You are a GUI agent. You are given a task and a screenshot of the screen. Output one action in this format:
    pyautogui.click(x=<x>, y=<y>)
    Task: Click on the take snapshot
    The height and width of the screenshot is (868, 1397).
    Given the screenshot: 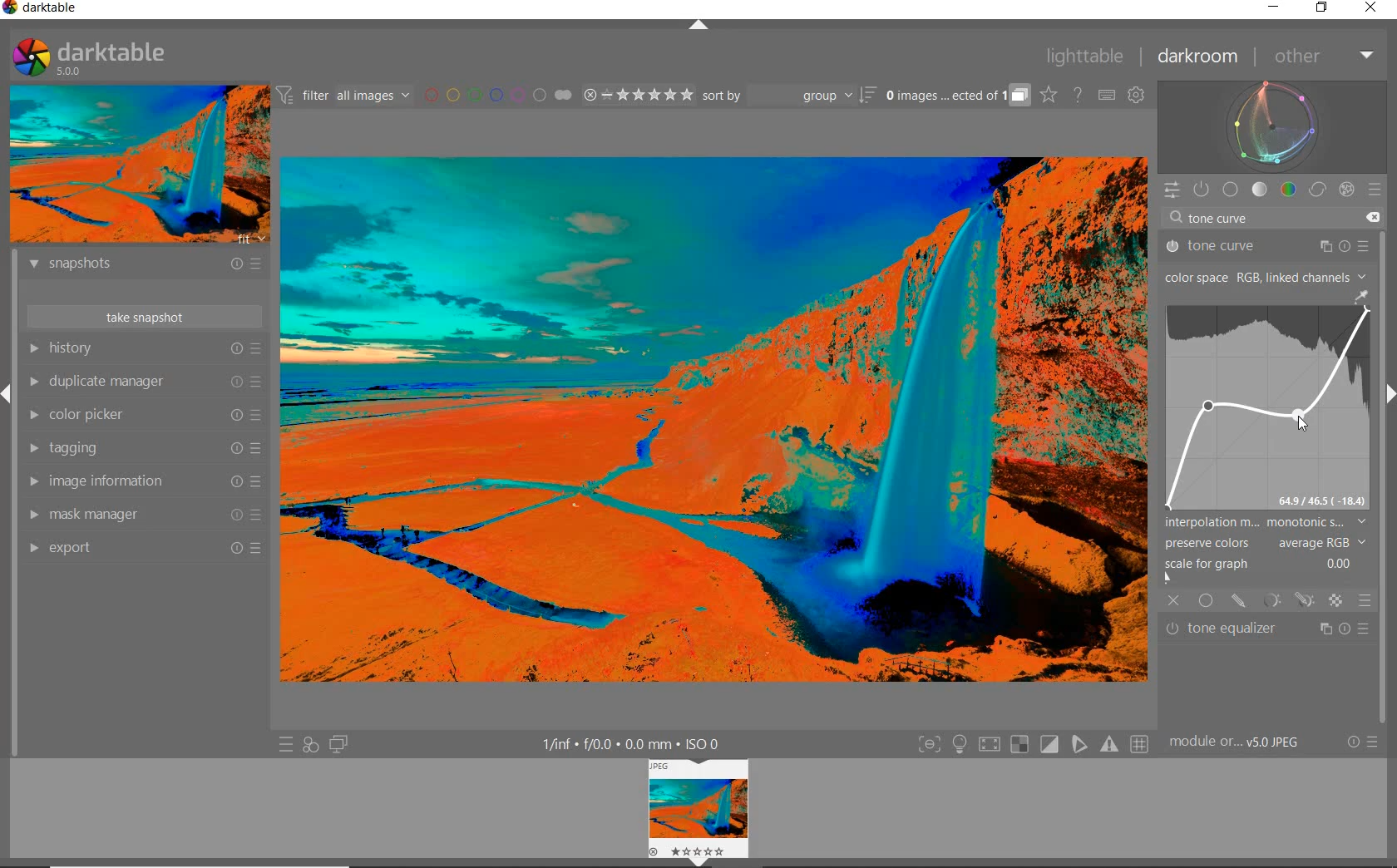 What is the action you would take?
    pyautogui.click(x=144, y=315)
    